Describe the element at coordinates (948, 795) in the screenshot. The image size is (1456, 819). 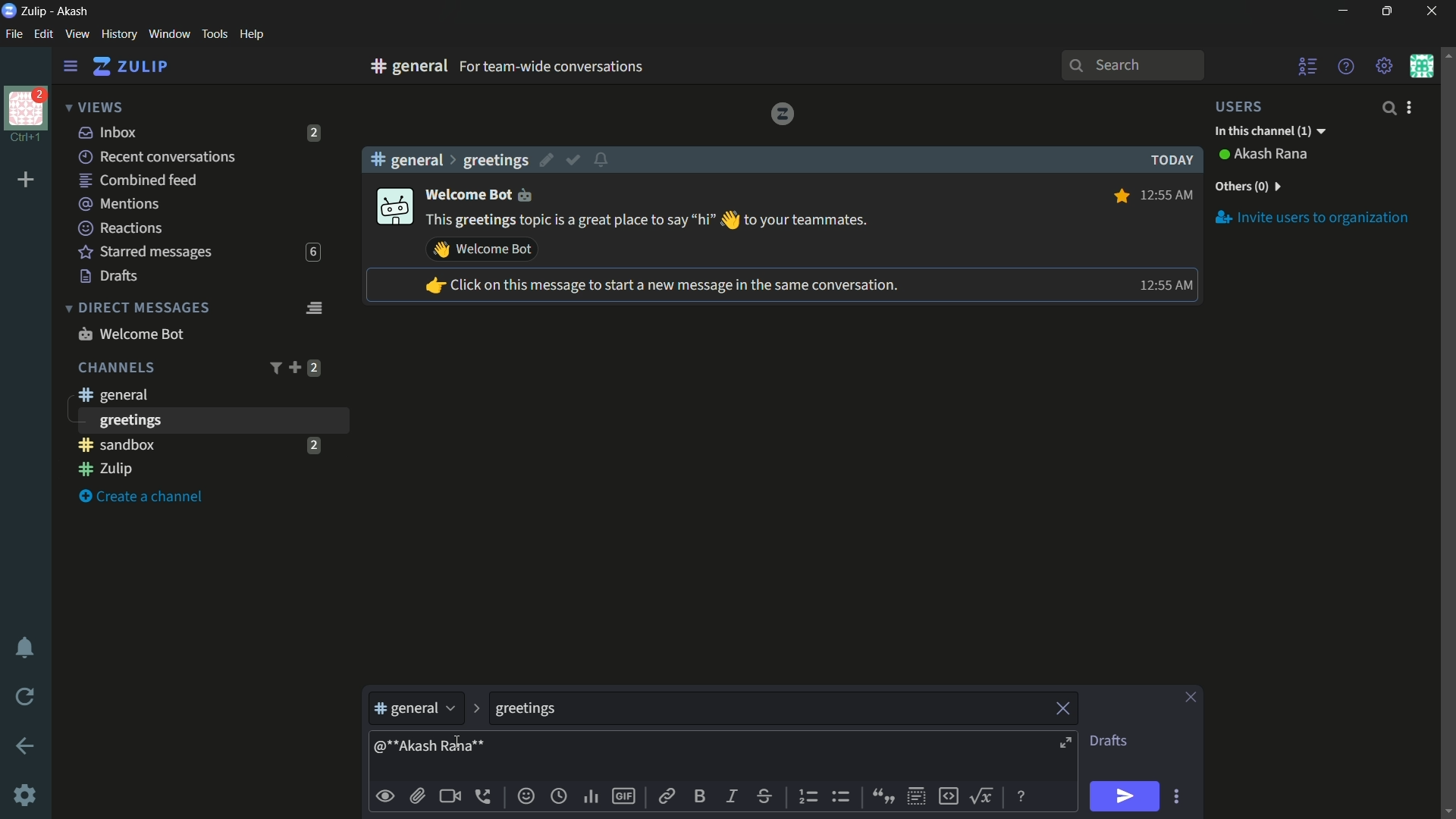
I see `code` at that location.